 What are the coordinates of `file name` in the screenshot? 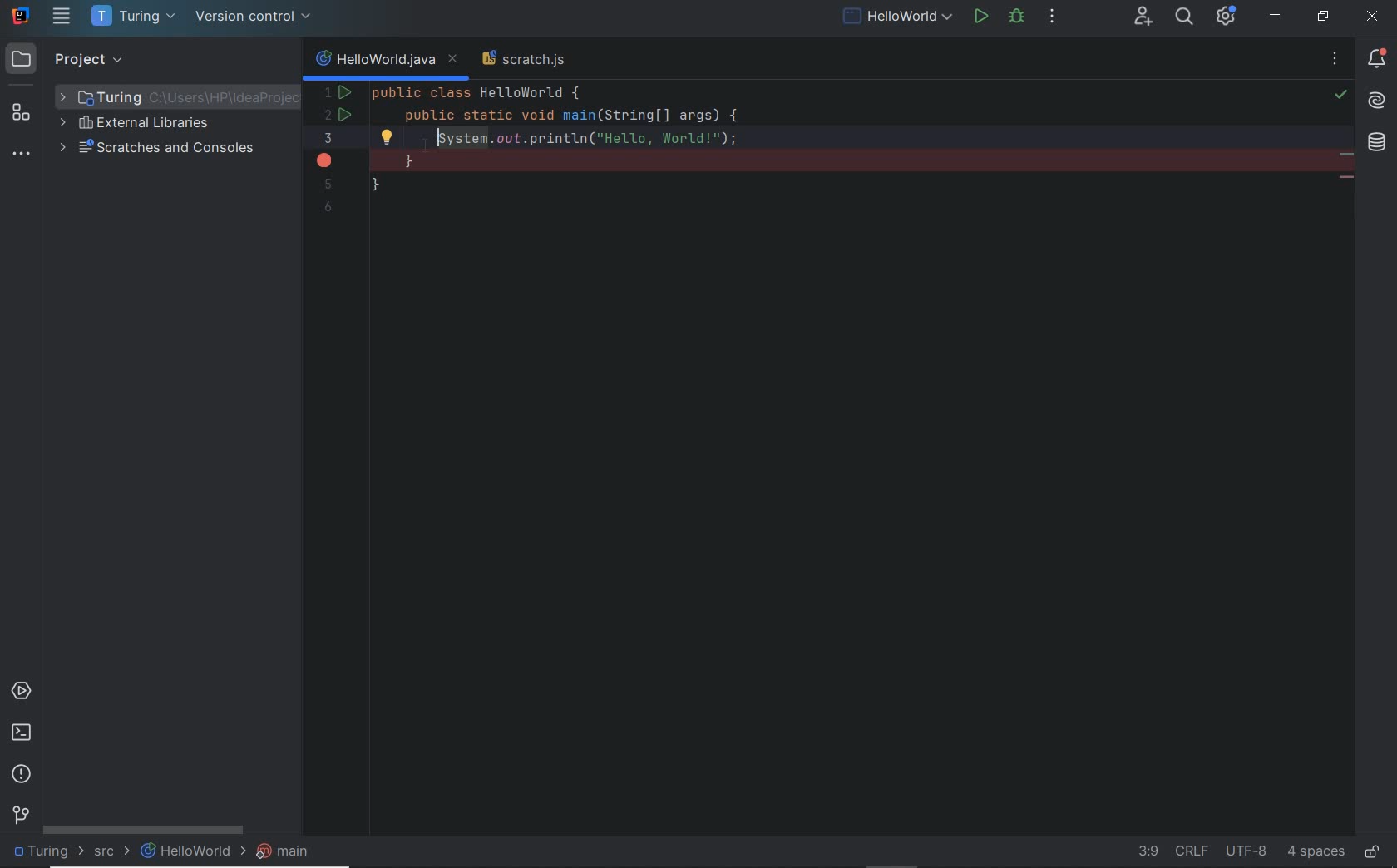 It's located at (186, 856).